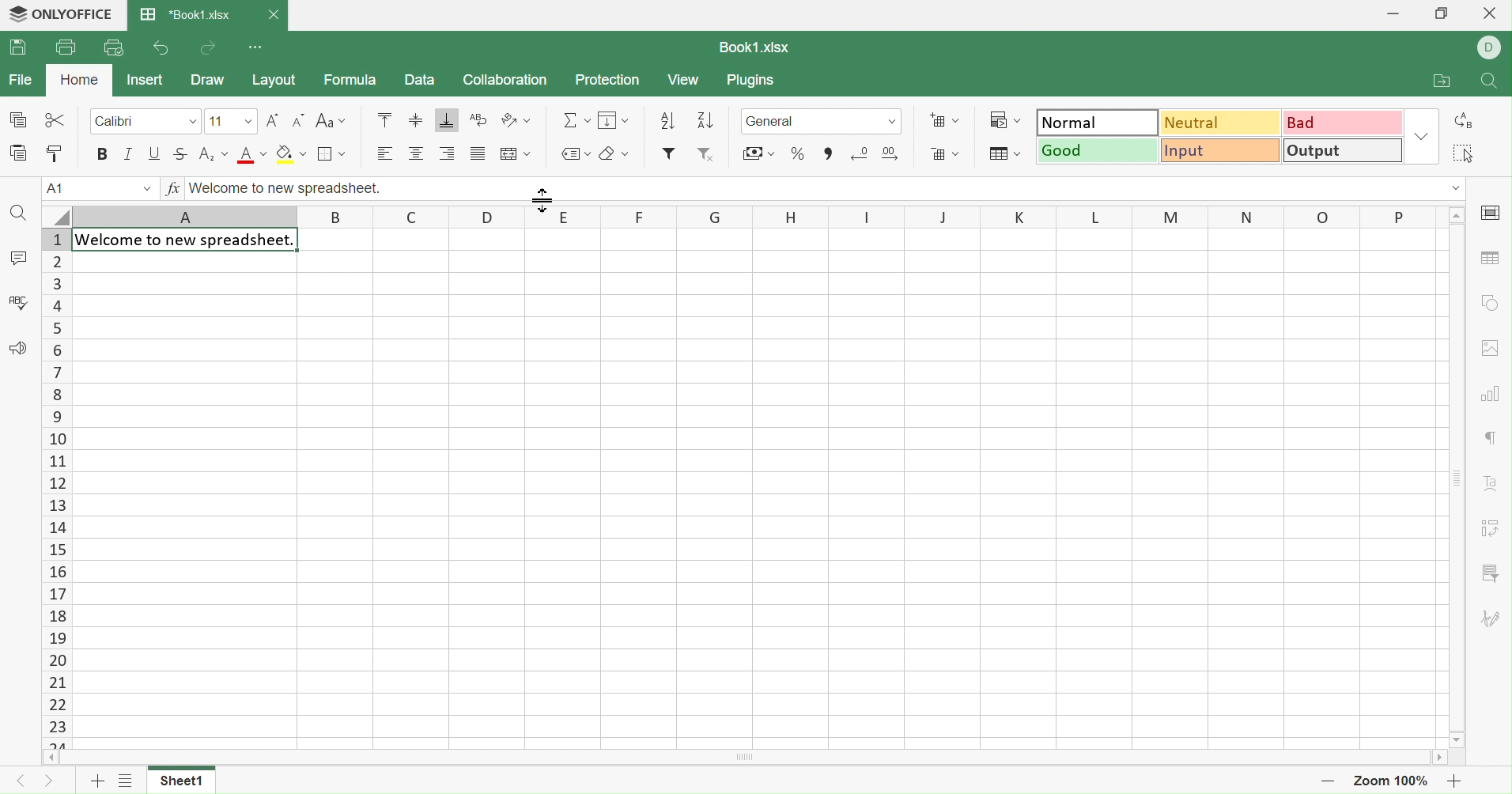 This screenshot has height=794, width=1512. What do you see at coordinates (1490, 47) in the screenshot?
I see `DELL` at bounding box center [1490, 47].